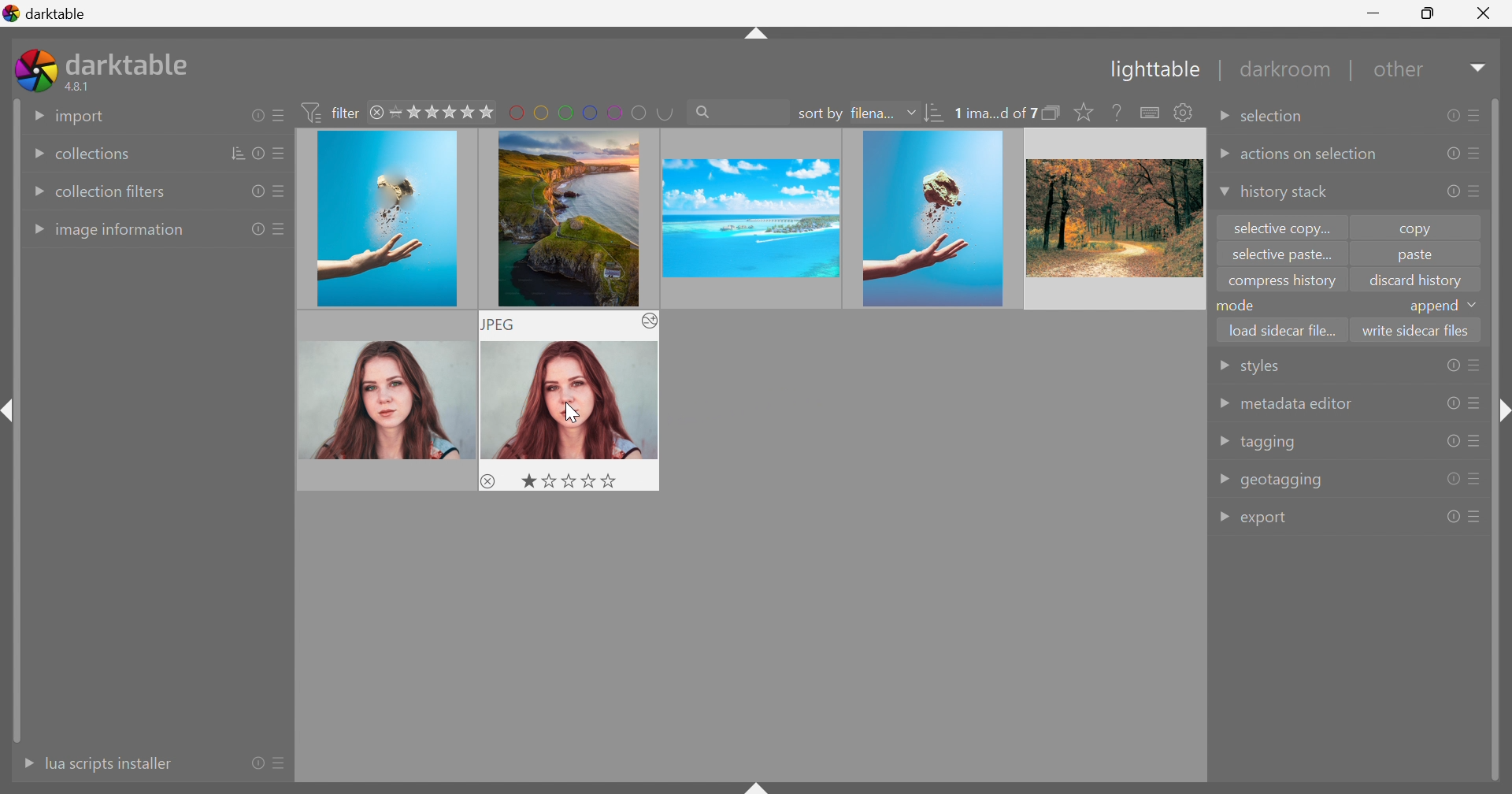  What do you see at coordinates (1224, 477) in the screenshot?
I see `Drop Down` at bounding box center [1224, 477].